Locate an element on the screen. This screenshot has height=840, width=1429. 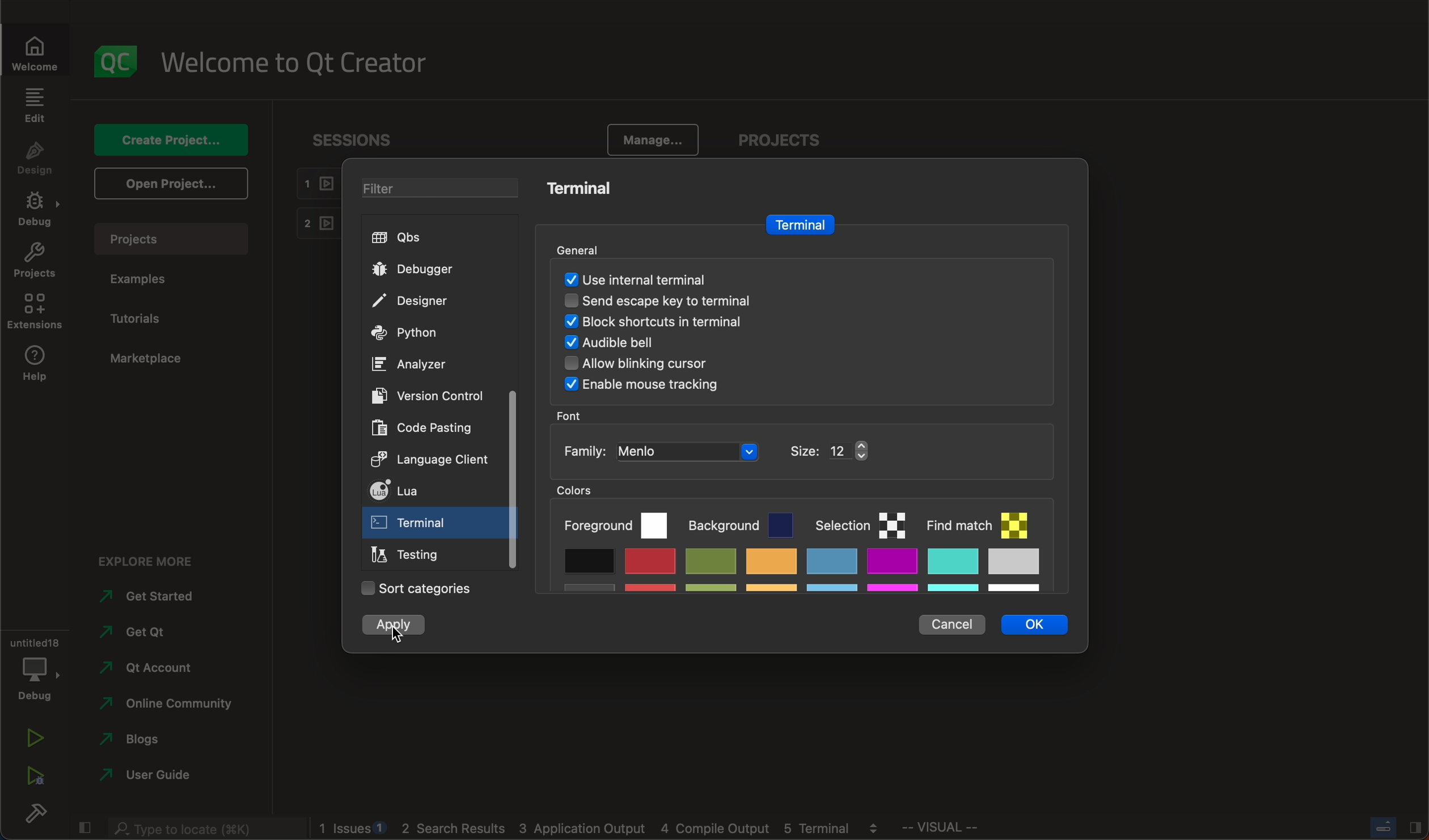
blogs is located at coordinates (144, 738).